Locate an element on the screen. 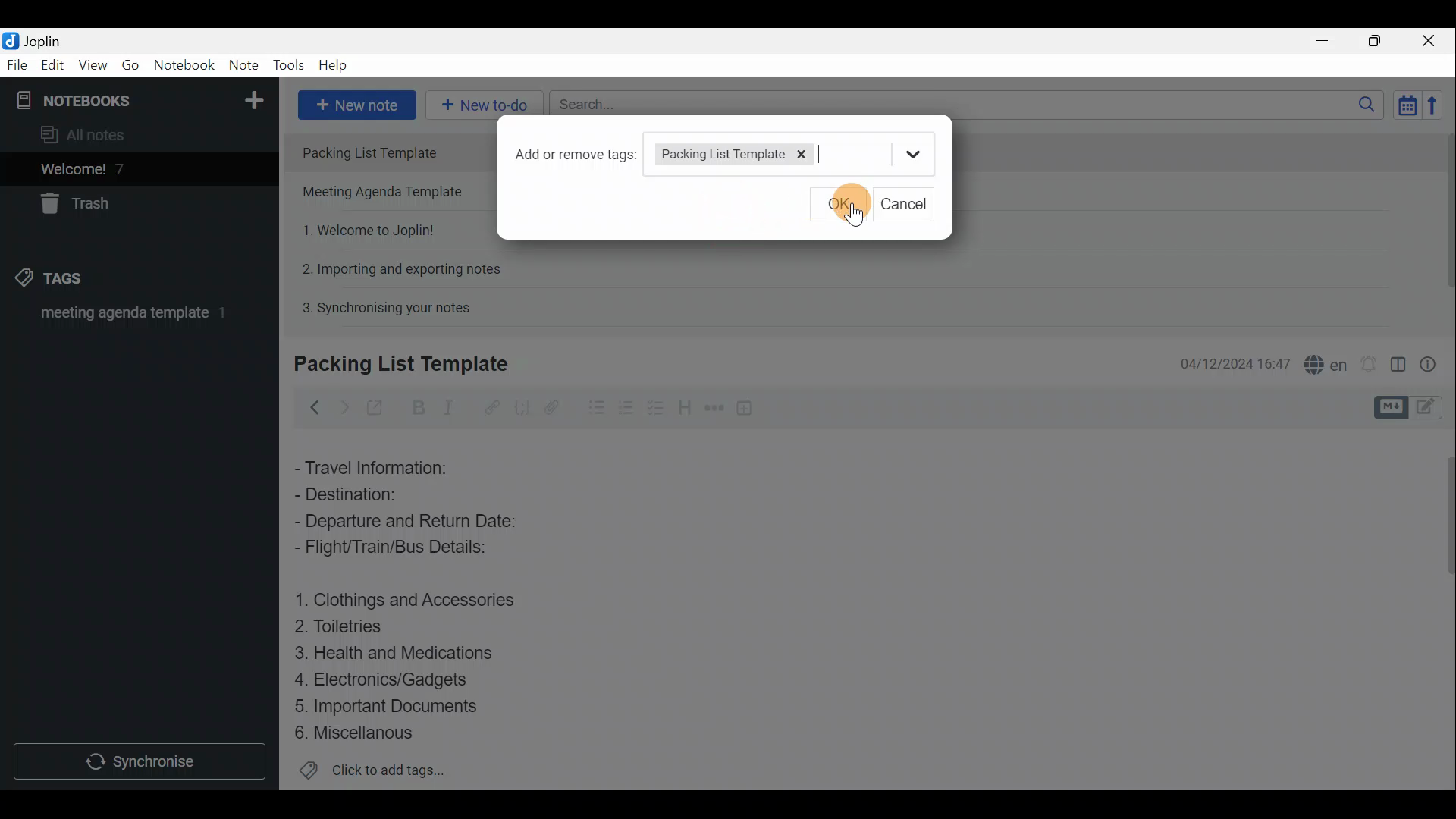 This screenshot has height=819, width=1456. Toiletries is located at coordinates (349, 629).